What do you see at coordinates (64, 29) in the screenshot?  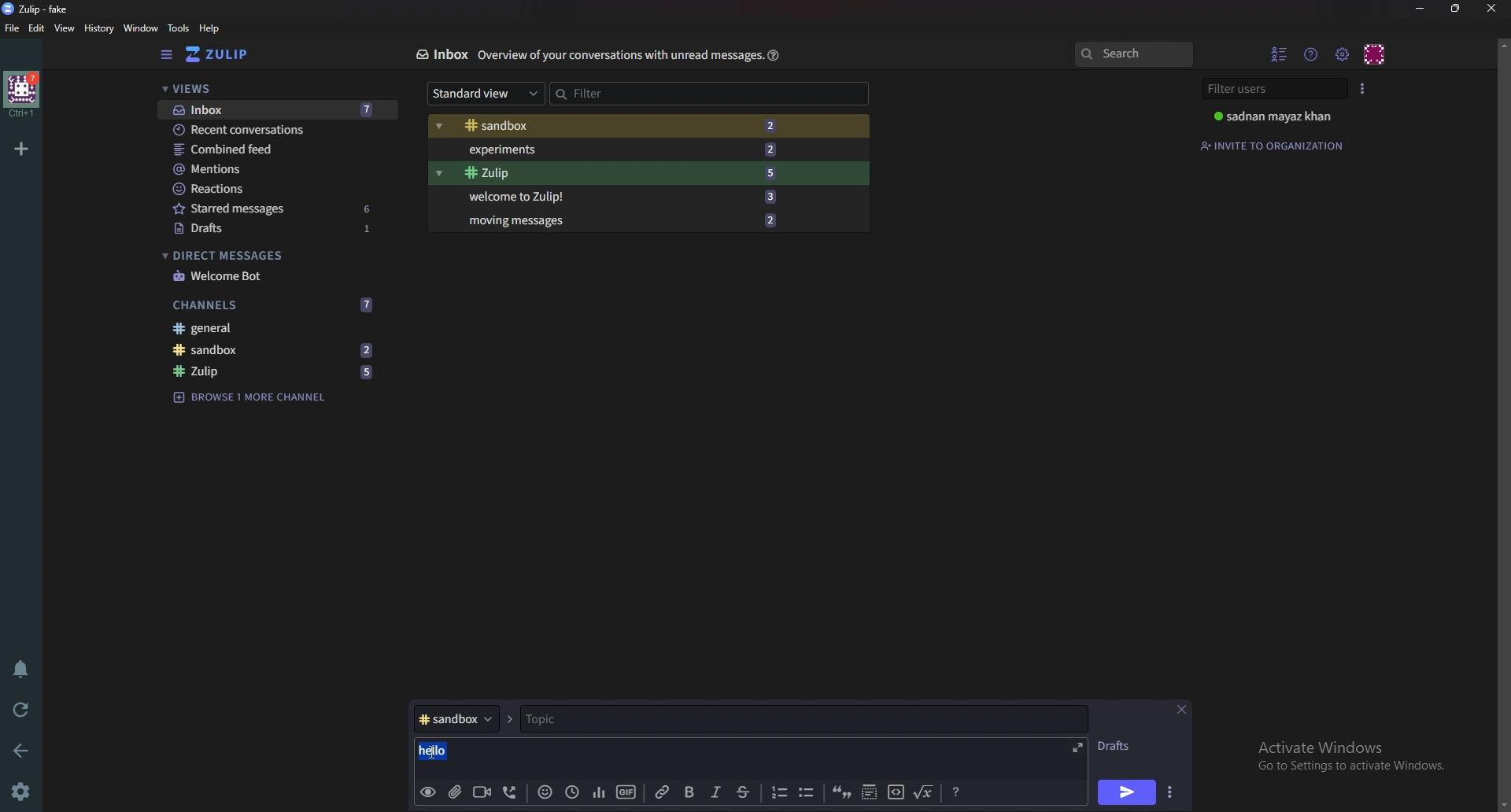 I see `View` at bounding box center [64, 29].